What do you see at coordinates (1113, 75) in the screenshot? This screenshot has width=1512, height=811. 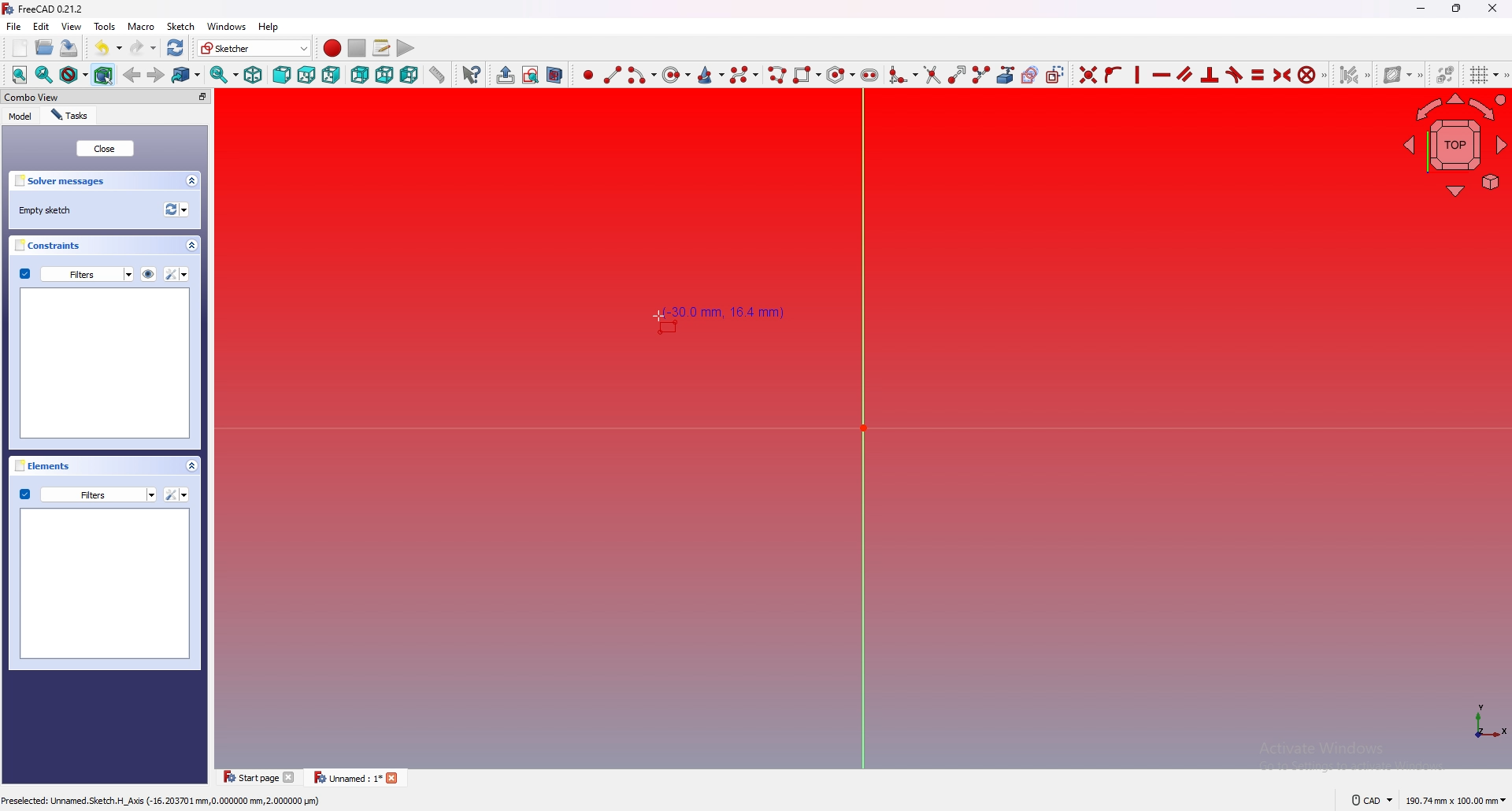 I see `constraint point onto object` at bounding box center [1113, 75].